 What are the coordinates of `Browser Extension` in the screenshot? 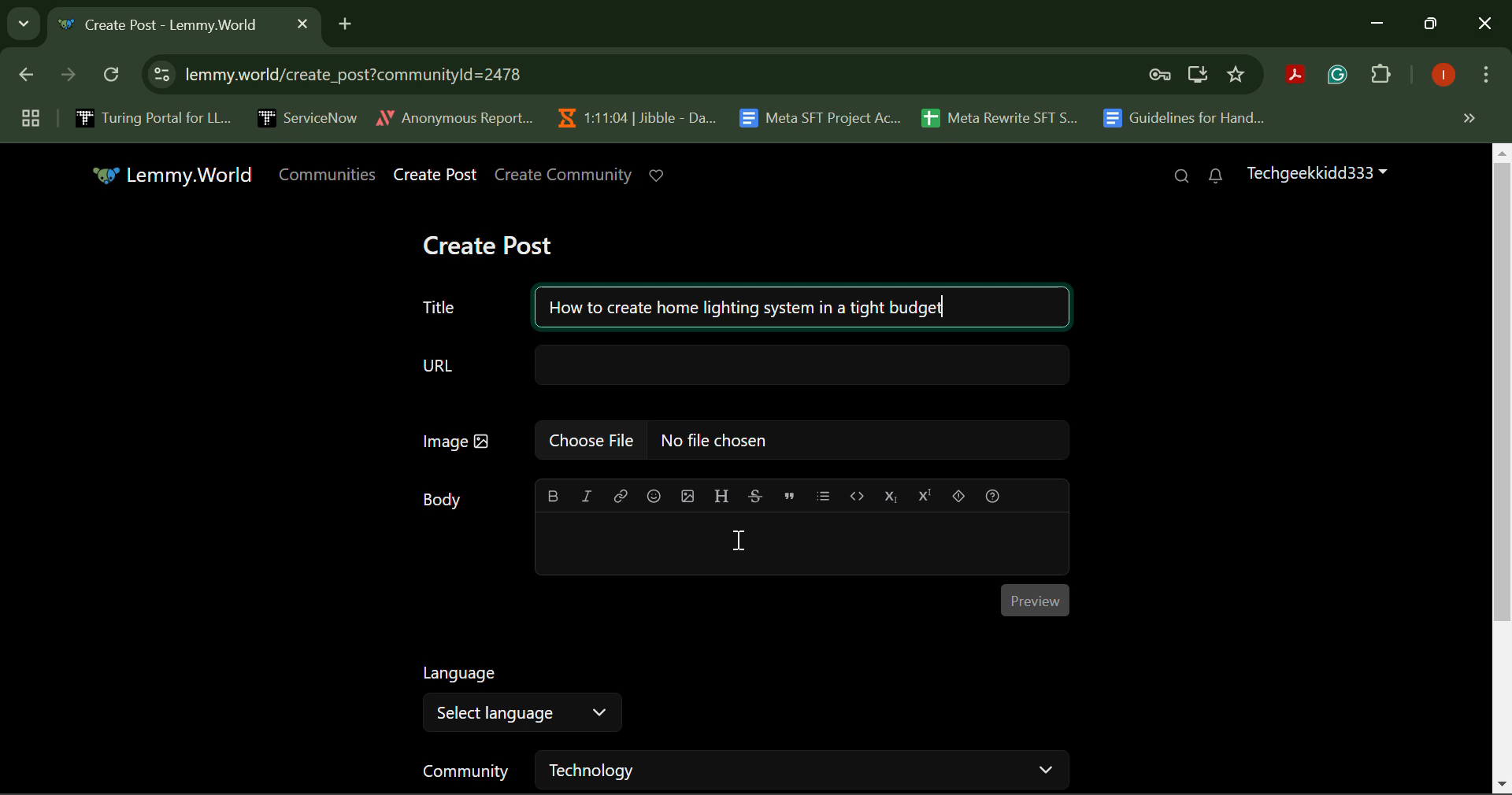 It's located at (1299, 76).